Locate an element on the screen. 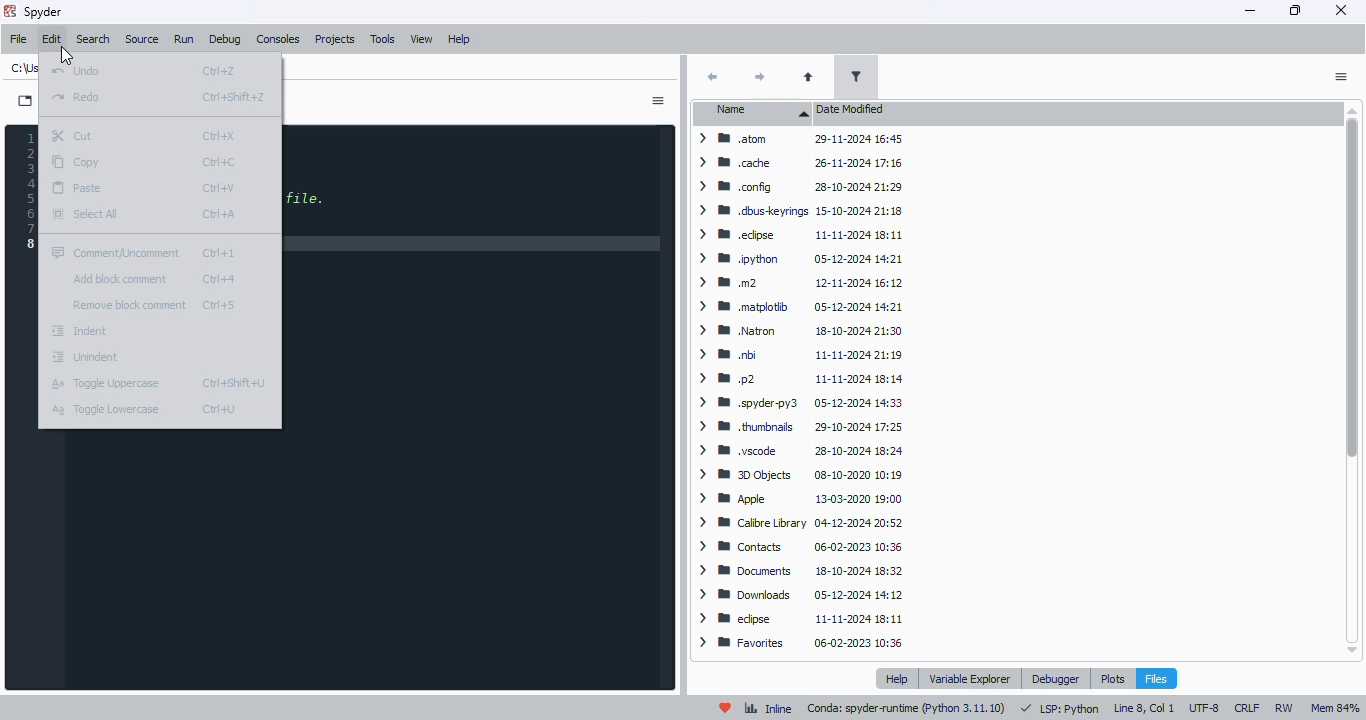 The height and width of the screenshot is (720, 1366). > Wm p2 11-11-2024 18:14 is located at coordinates (800, 379).